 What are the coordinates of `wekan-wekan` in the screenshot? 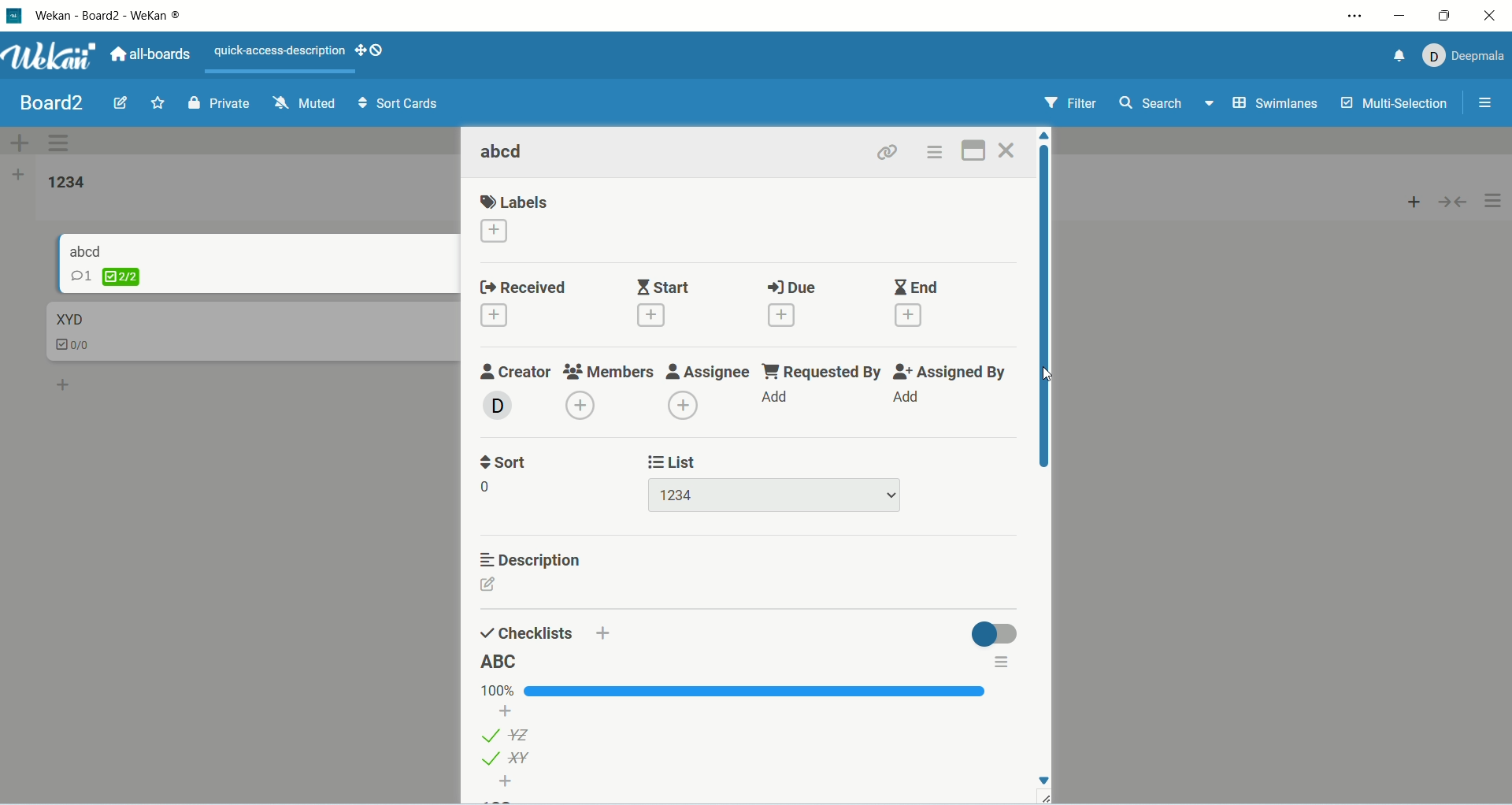 It's located at (108, 16).